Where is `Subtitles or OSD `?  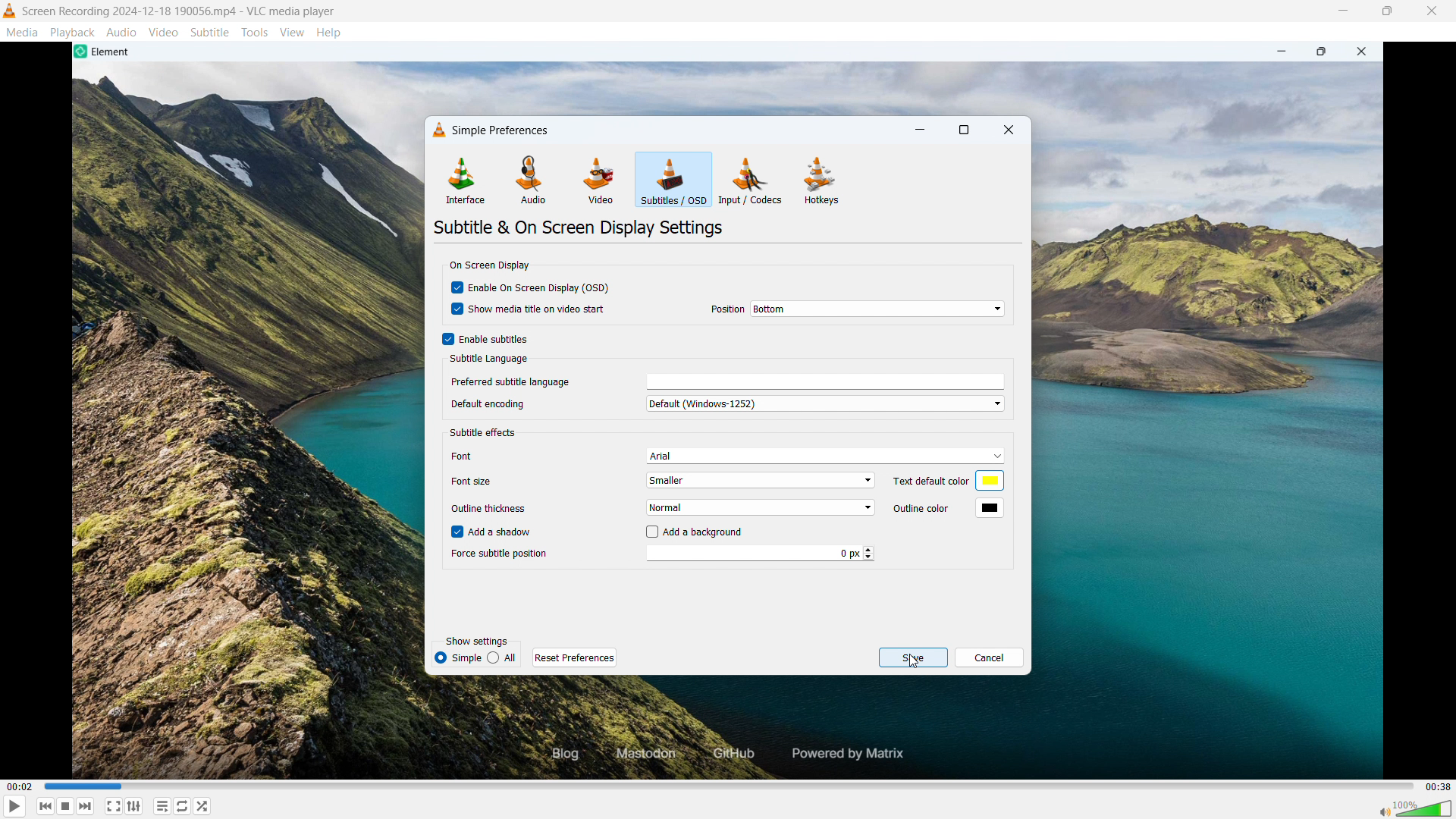 Subtitles or OSD  is located at coordinates (673, 180).